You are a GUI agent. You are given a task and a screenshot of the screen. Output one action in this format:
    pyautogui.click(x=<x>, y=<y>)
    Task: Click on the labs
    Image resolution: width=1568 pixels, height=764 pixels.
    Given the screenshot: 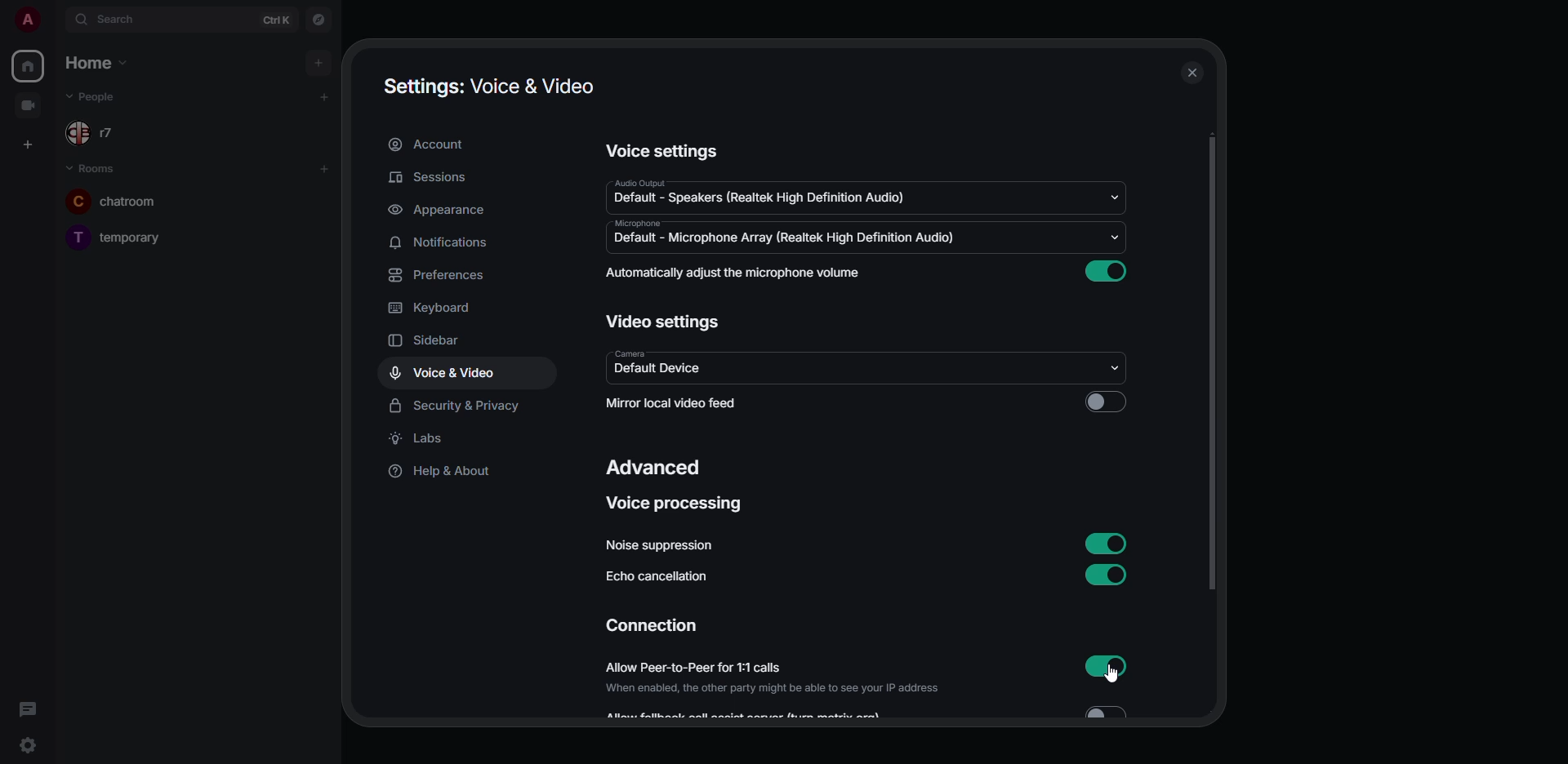 What is the action you would take?
    pyautogui.click(x=419, y=439)
    